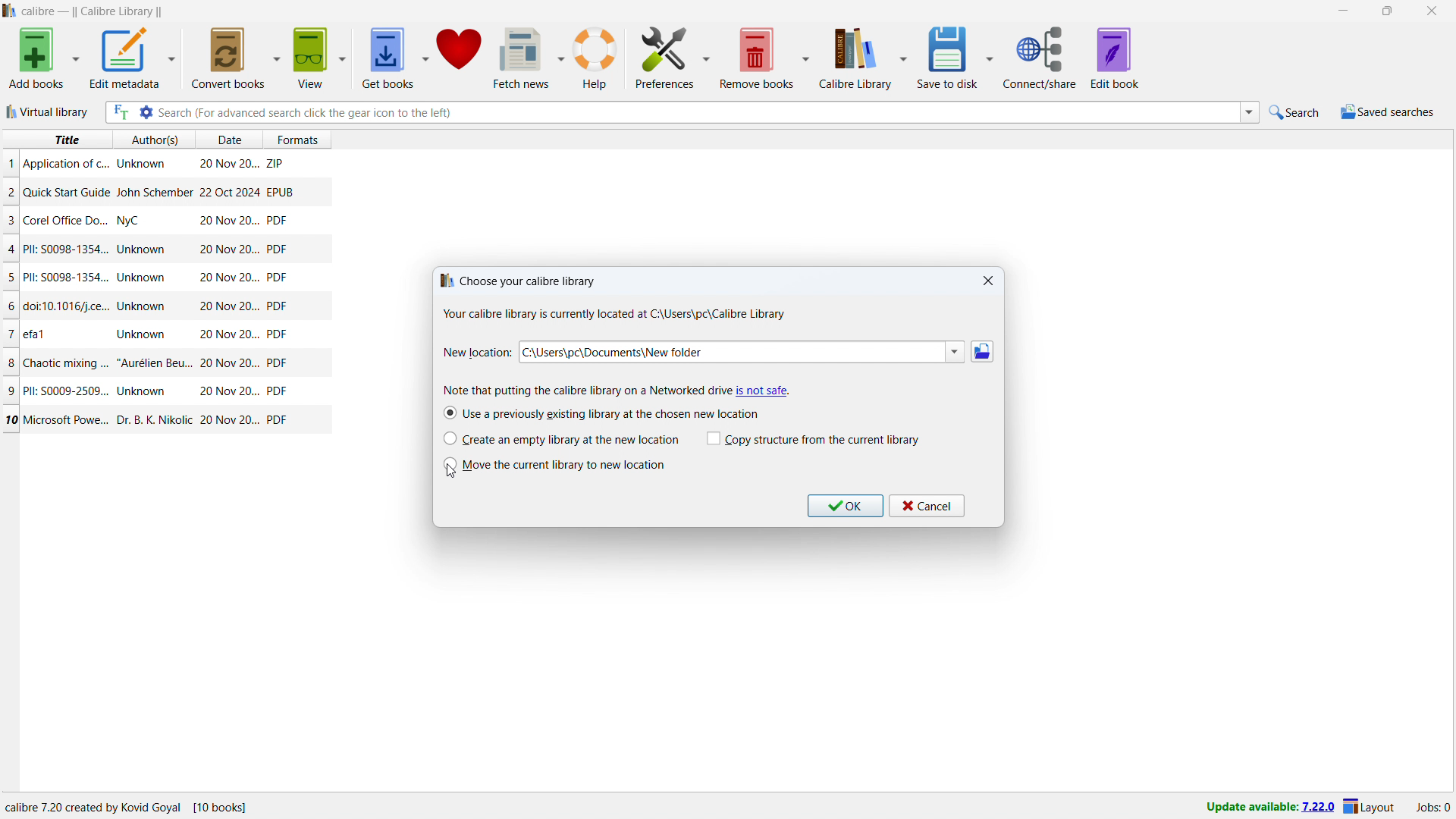 This screenshot has height=819, width=1456. What do you see at coordinates (276, 161) in the screenshot?
I see `ZIP` at bounding box center [276, 161].